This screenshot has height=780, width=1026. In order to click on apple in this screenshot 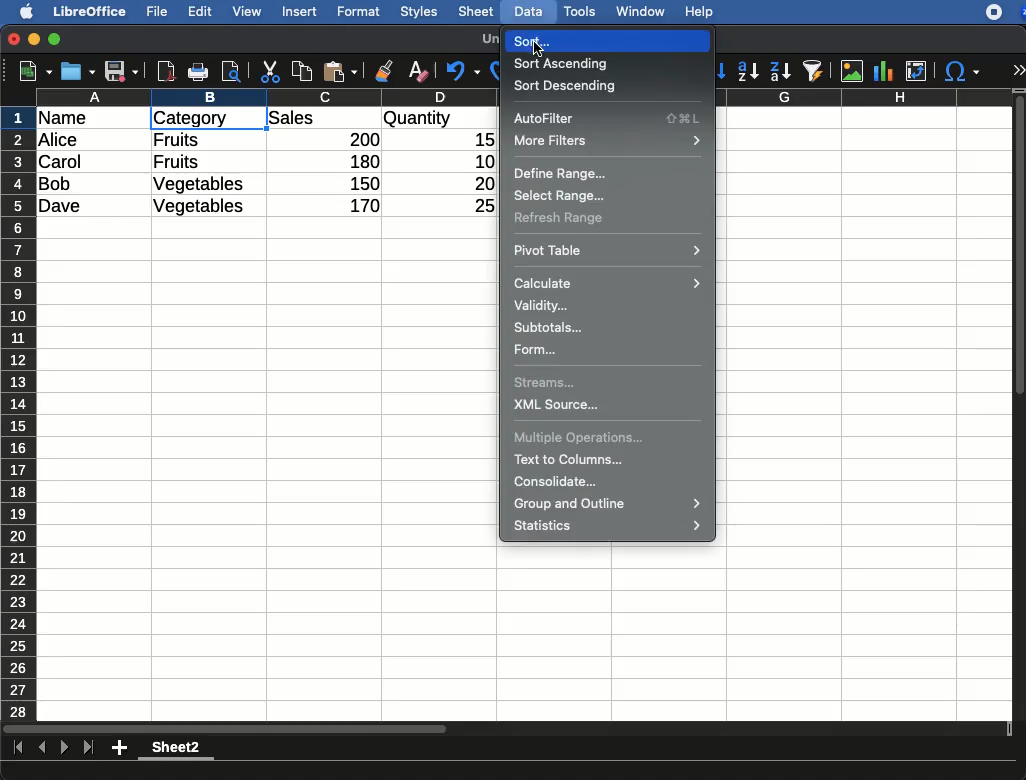, I will do `click(21, 10)`.